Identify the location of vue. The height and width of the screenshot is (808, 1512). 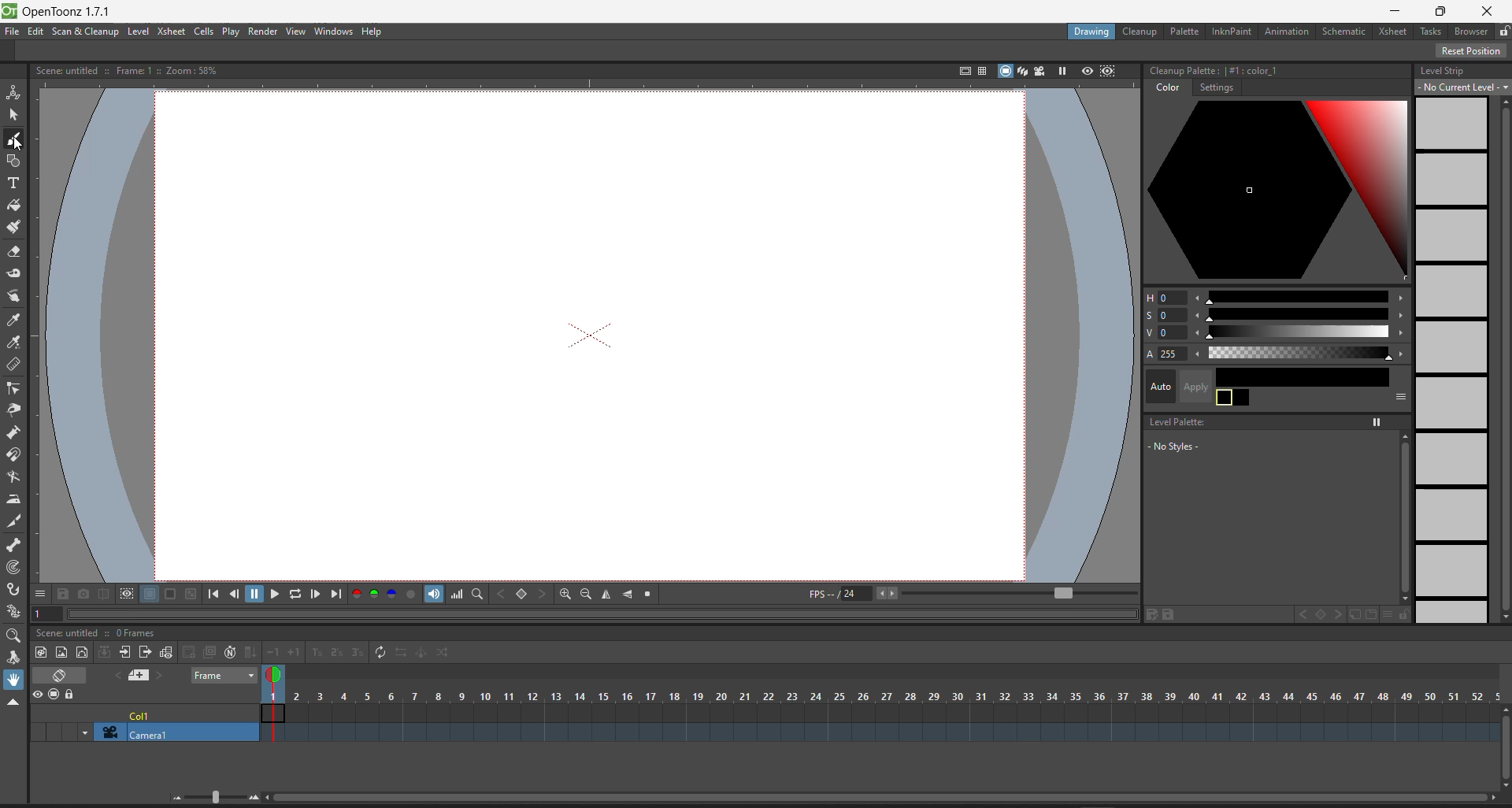
(1160, 334).